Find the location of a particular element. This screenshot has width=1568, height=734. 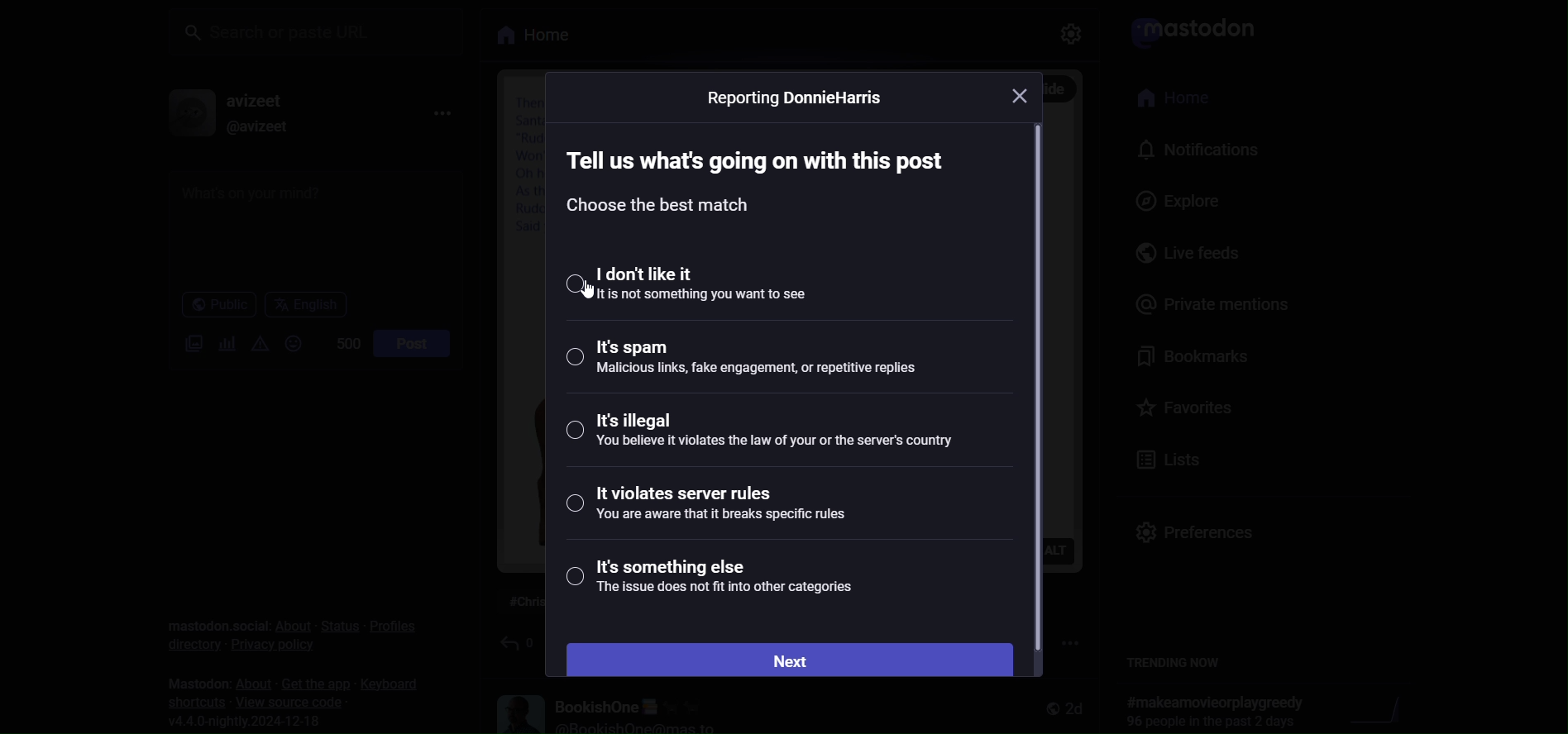

It's illegal
You believe it violates the law of your or the server's country is located at coordinates (763, 439).